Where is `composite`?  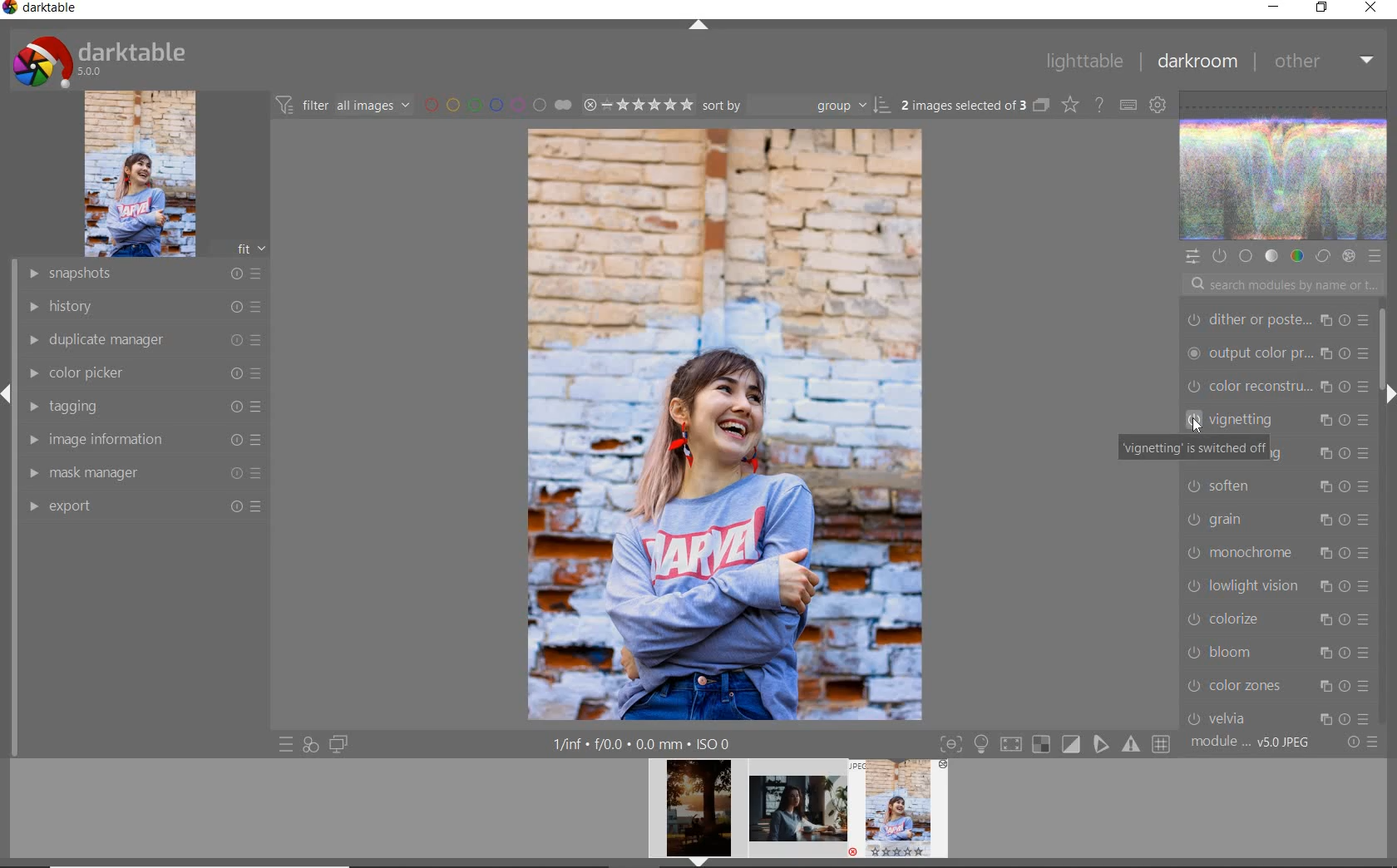
composite is located at coordinates (1277, 515).